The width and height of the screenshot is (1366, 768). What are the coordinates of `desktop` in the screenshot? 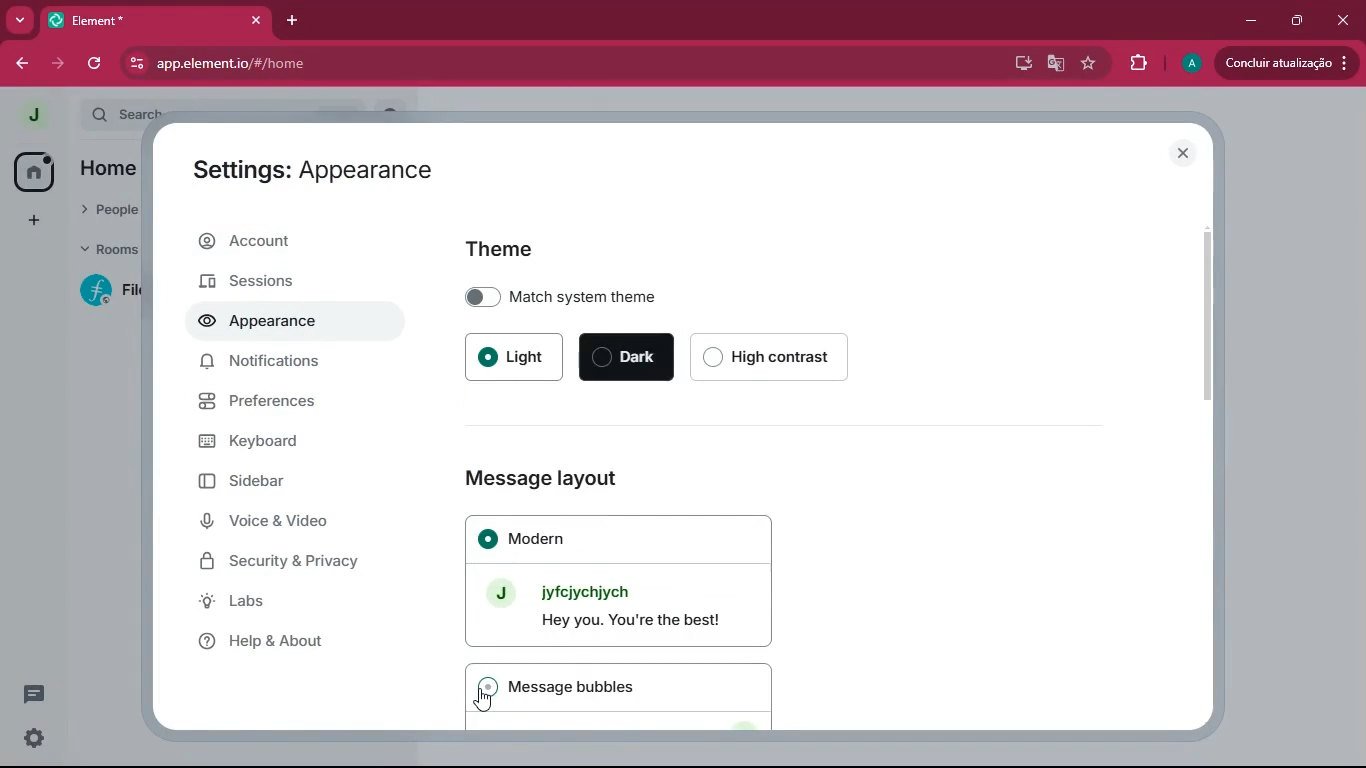 It's located at (1019, 63).